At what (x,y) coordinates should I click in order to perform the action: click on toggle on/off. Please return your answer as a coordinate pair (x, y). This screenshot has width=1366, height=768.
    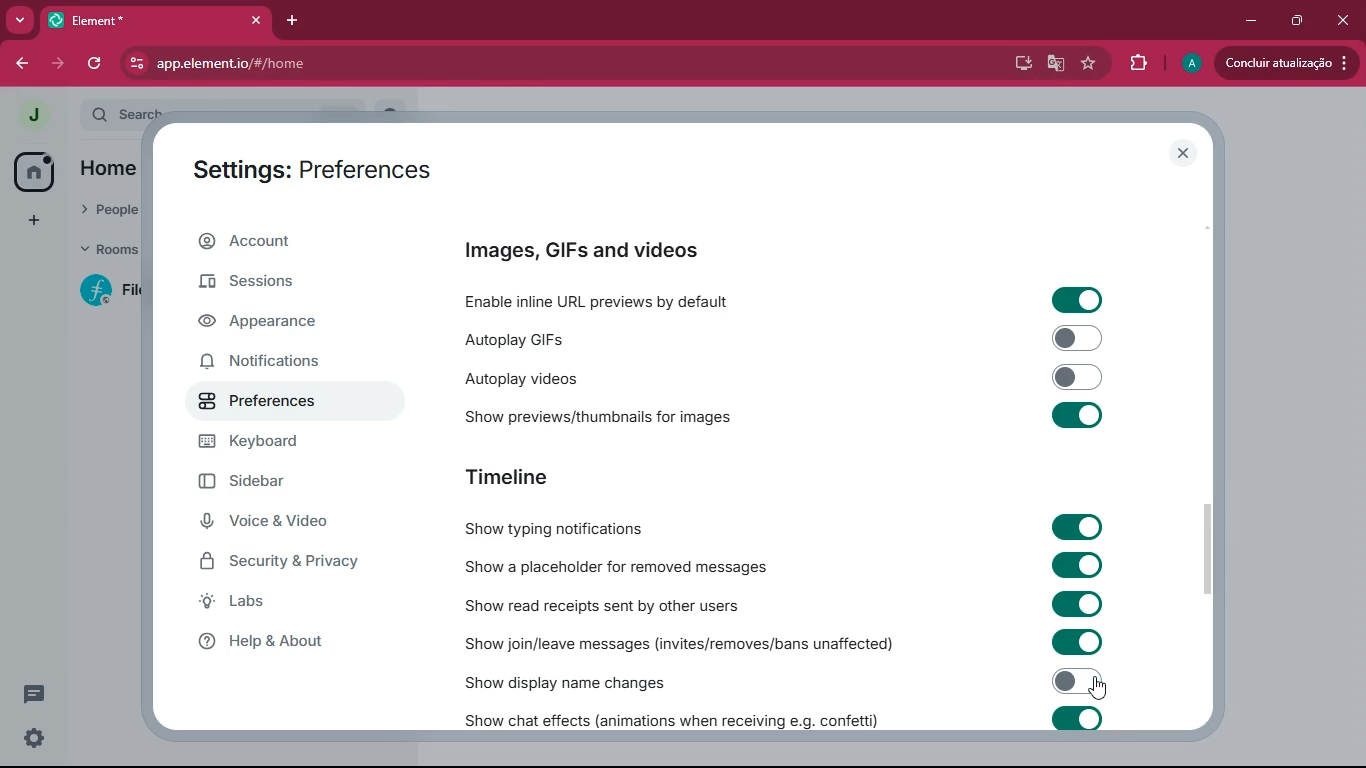
    Looking at the image, I should click on (1077, 338).